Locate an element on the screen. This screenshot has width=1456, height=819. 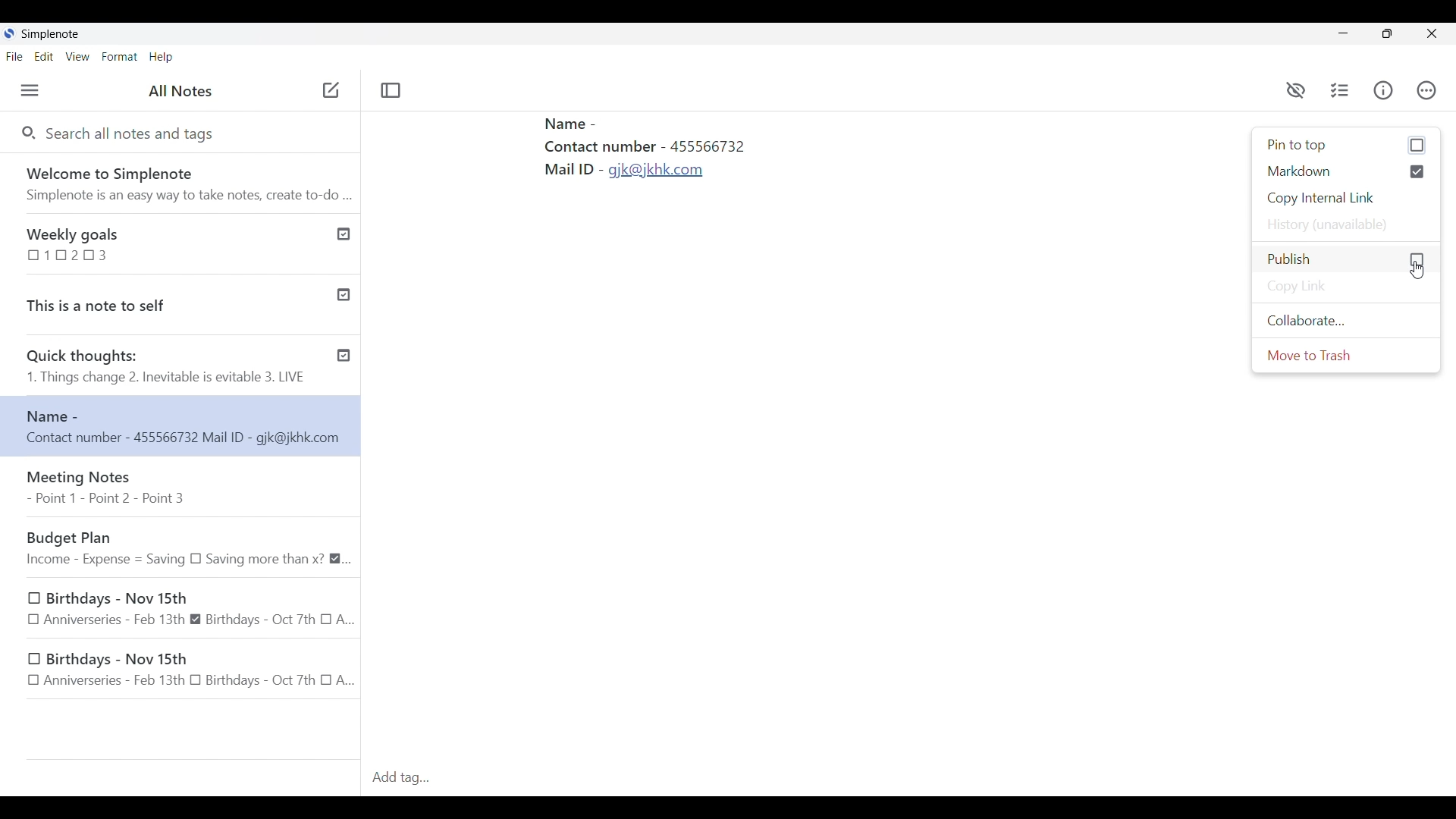
Budget Plan is located at coordinates (186, 546).